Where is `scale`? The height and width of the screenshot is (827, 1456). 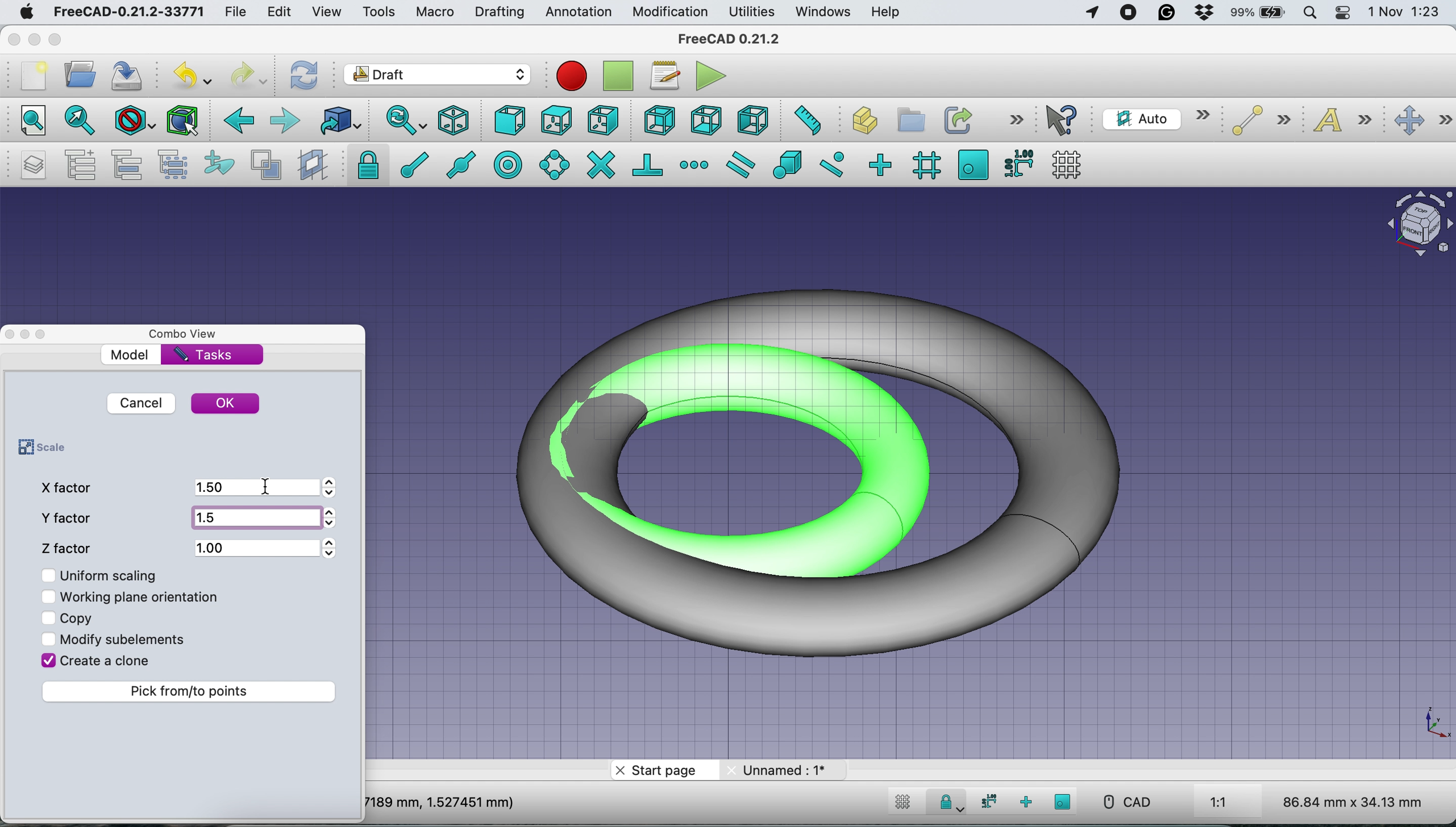 scale is located at coordinates (39, 448).